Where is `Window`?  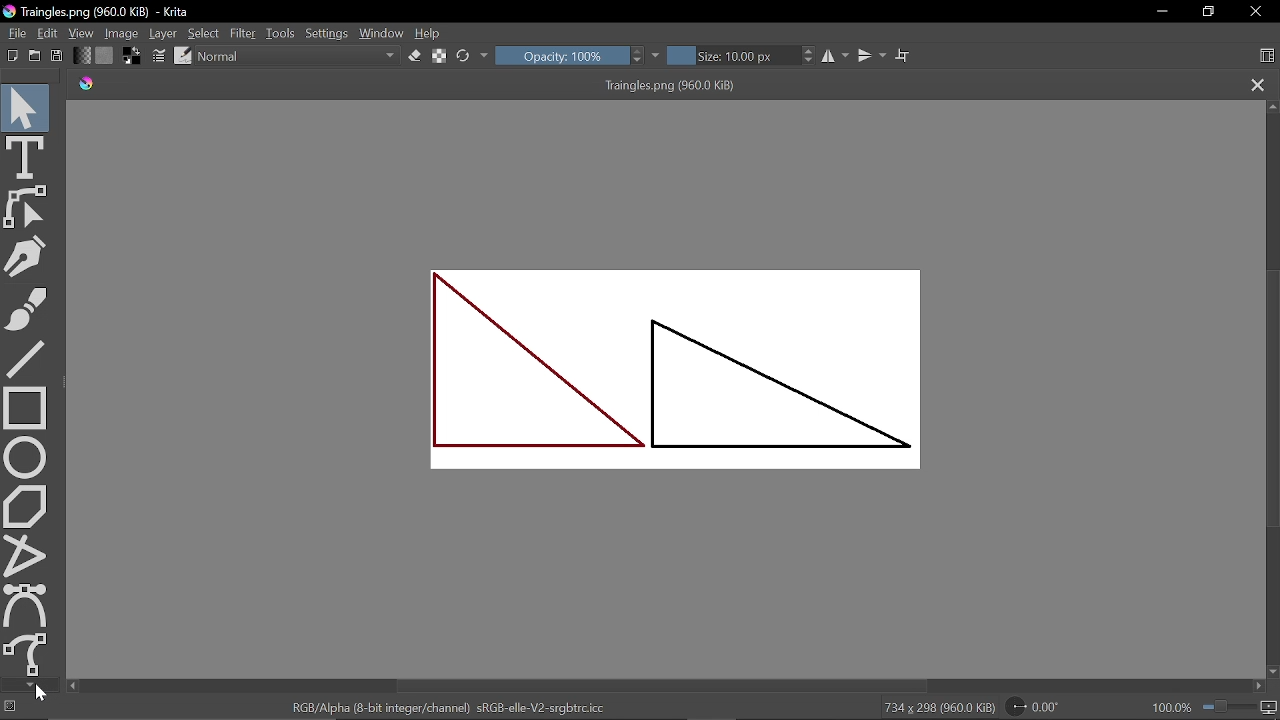
Window is located at coordinates (382, 33).